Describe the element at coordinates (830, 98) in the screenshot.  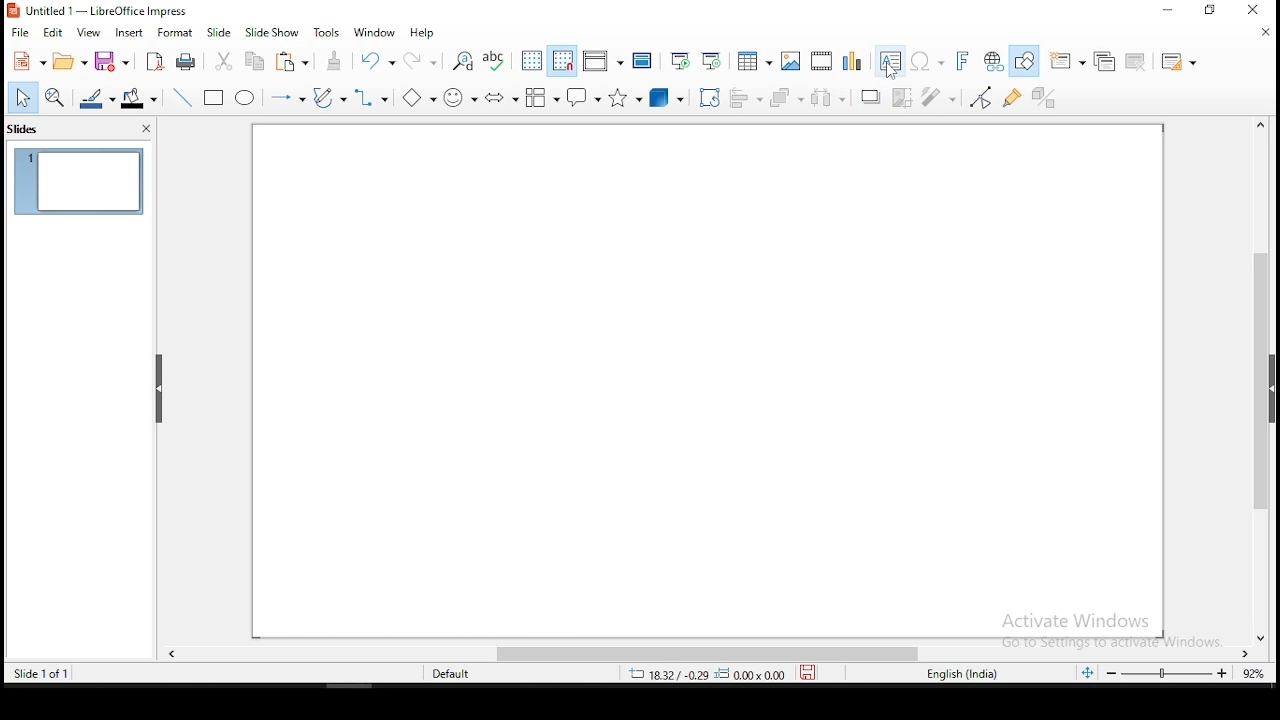
I see `distribute` at that location.